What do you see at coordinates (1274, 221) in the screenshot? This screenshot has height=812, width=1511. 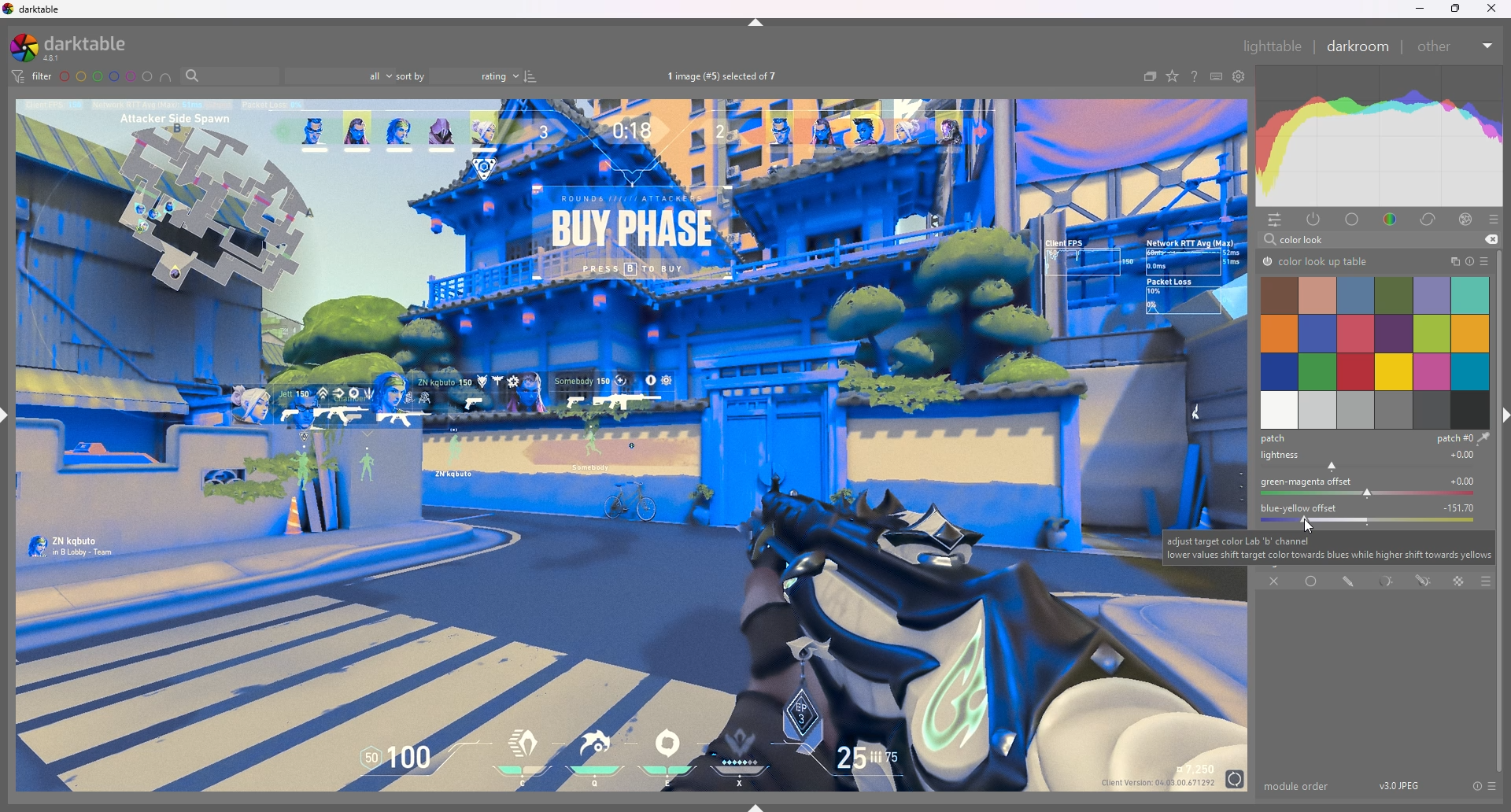 I see `quick access panel` at bounding box center [1274, 221].